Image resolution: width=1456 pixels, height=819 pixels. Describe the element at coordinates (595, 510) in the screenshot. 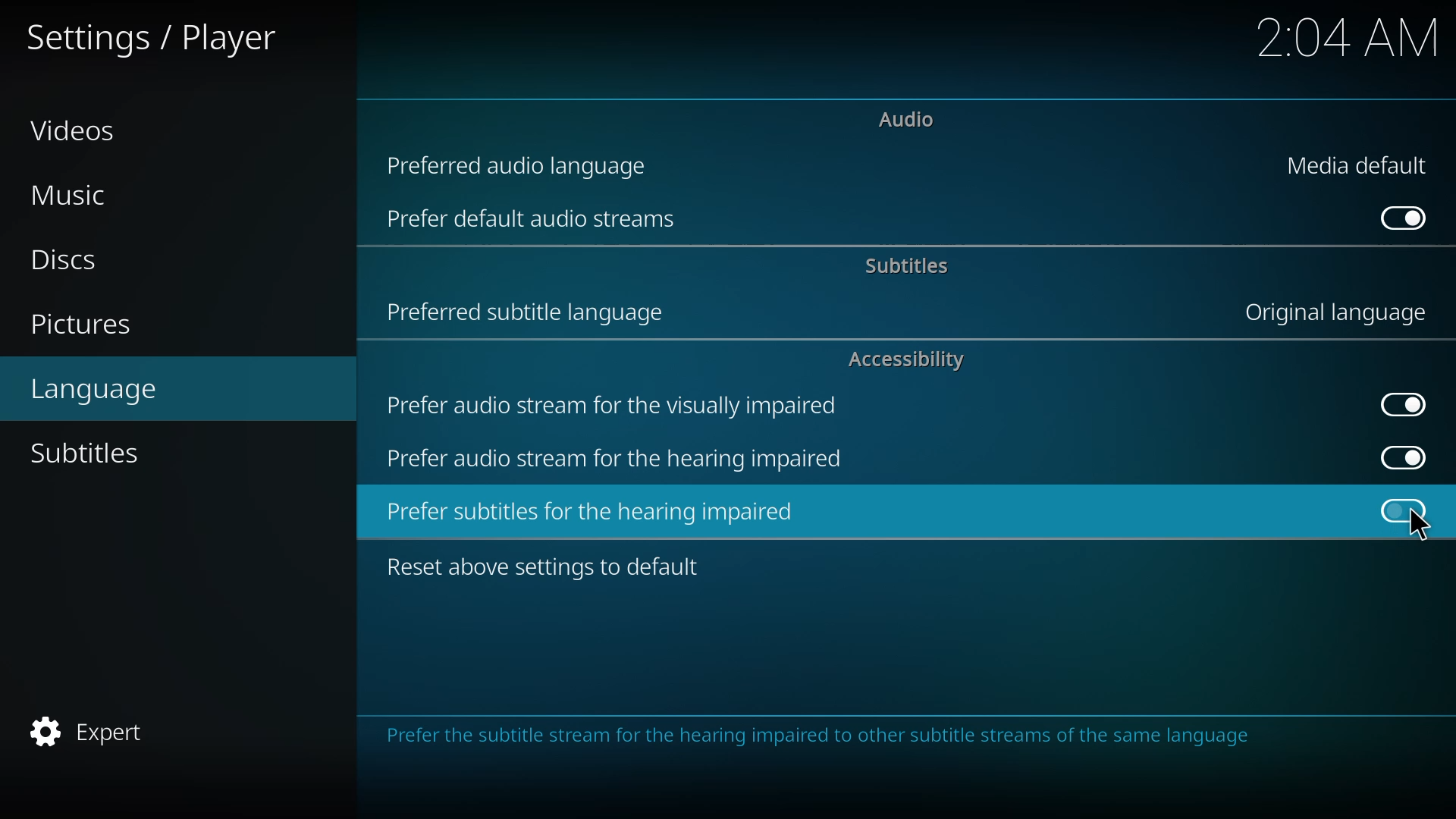

I see `prefer subtitles for hearing impaired` at that location.